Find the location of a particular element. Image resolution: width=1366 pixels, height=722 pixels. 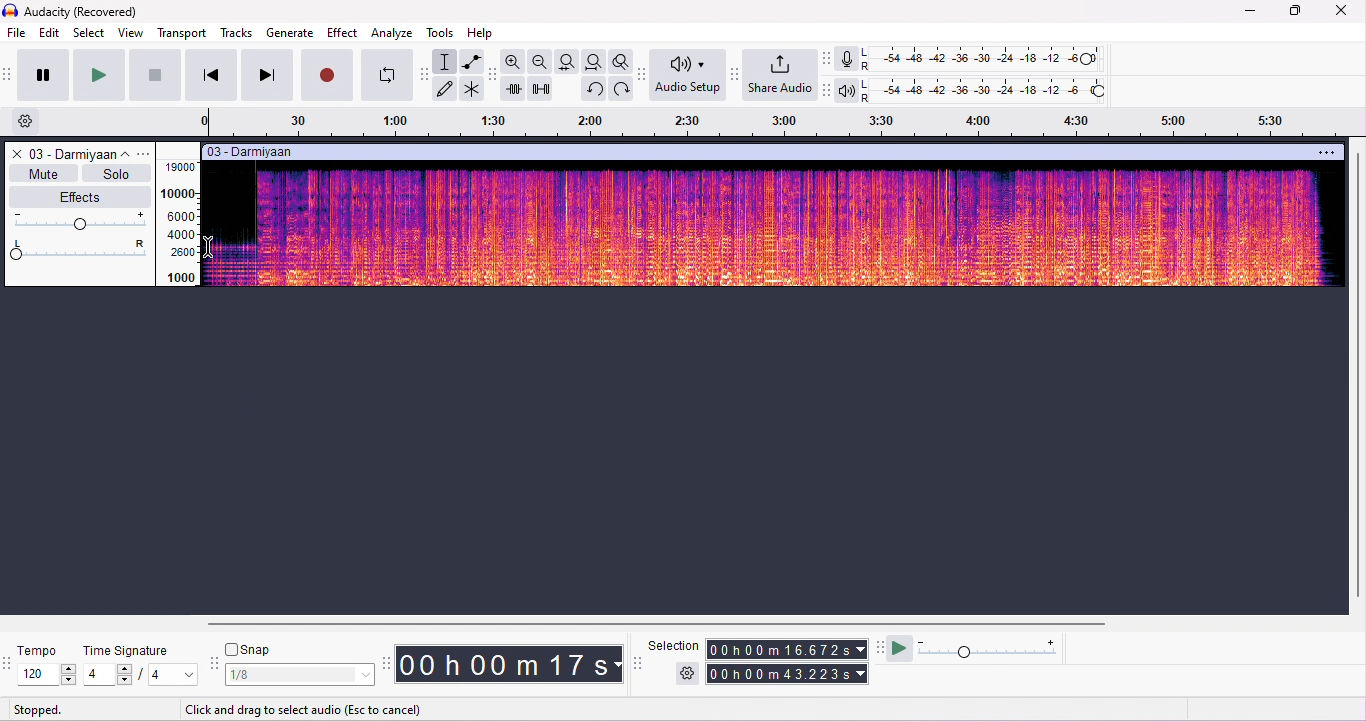

audacity time is located at coordinates (511, 663).